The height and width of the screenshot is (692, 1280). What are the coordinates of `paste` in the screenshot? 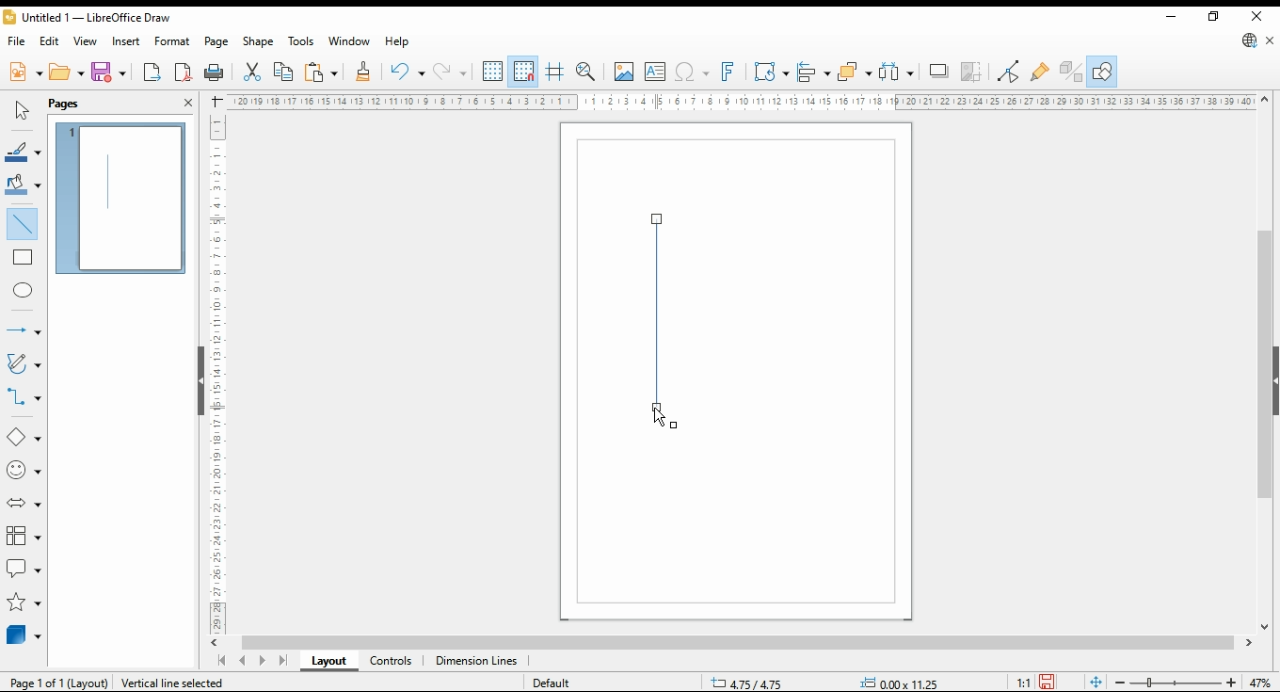 It's located at (321, 72).